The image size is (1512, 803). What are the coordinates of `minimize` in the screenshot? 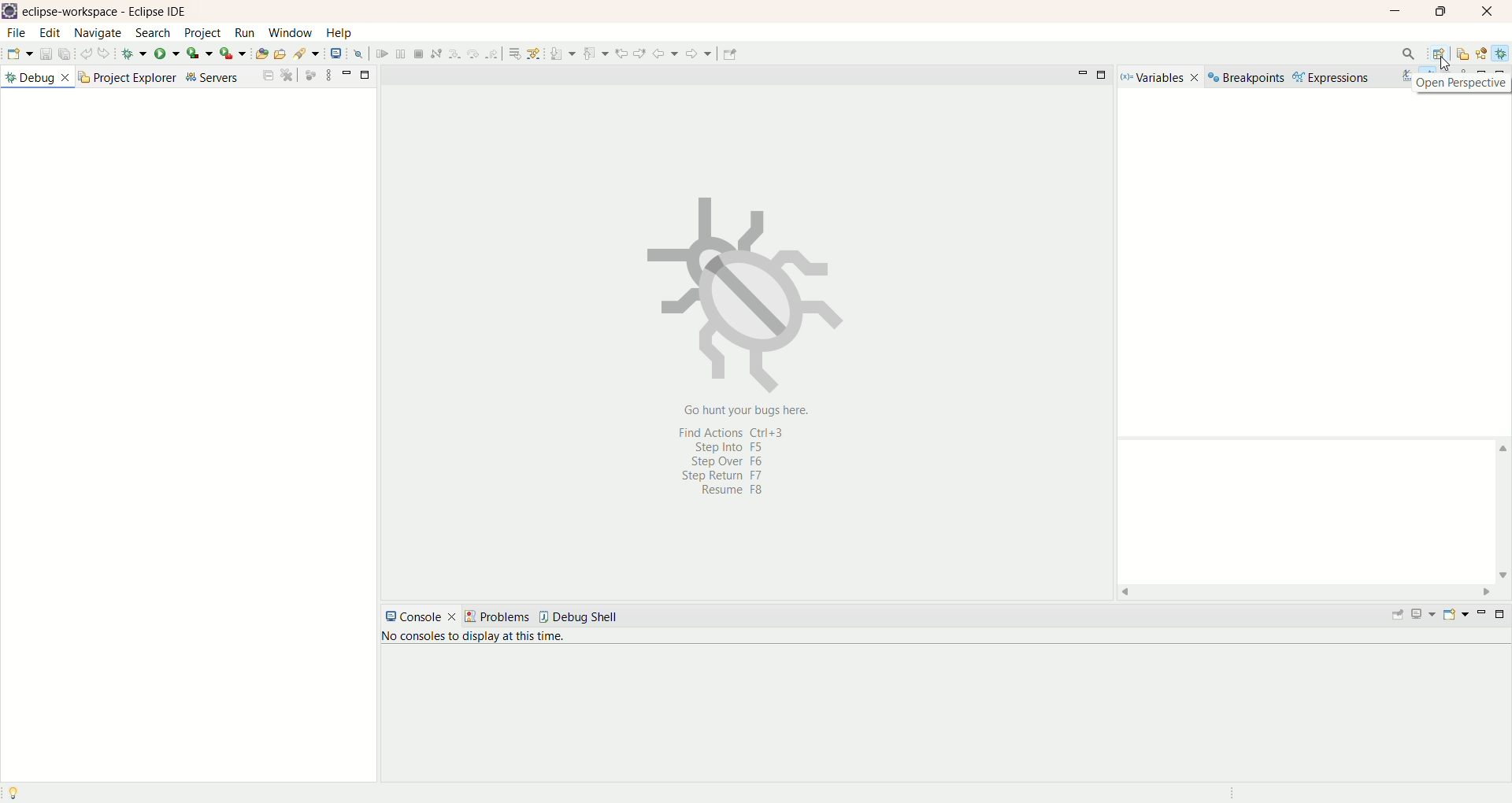 It's located at (1081, 74).